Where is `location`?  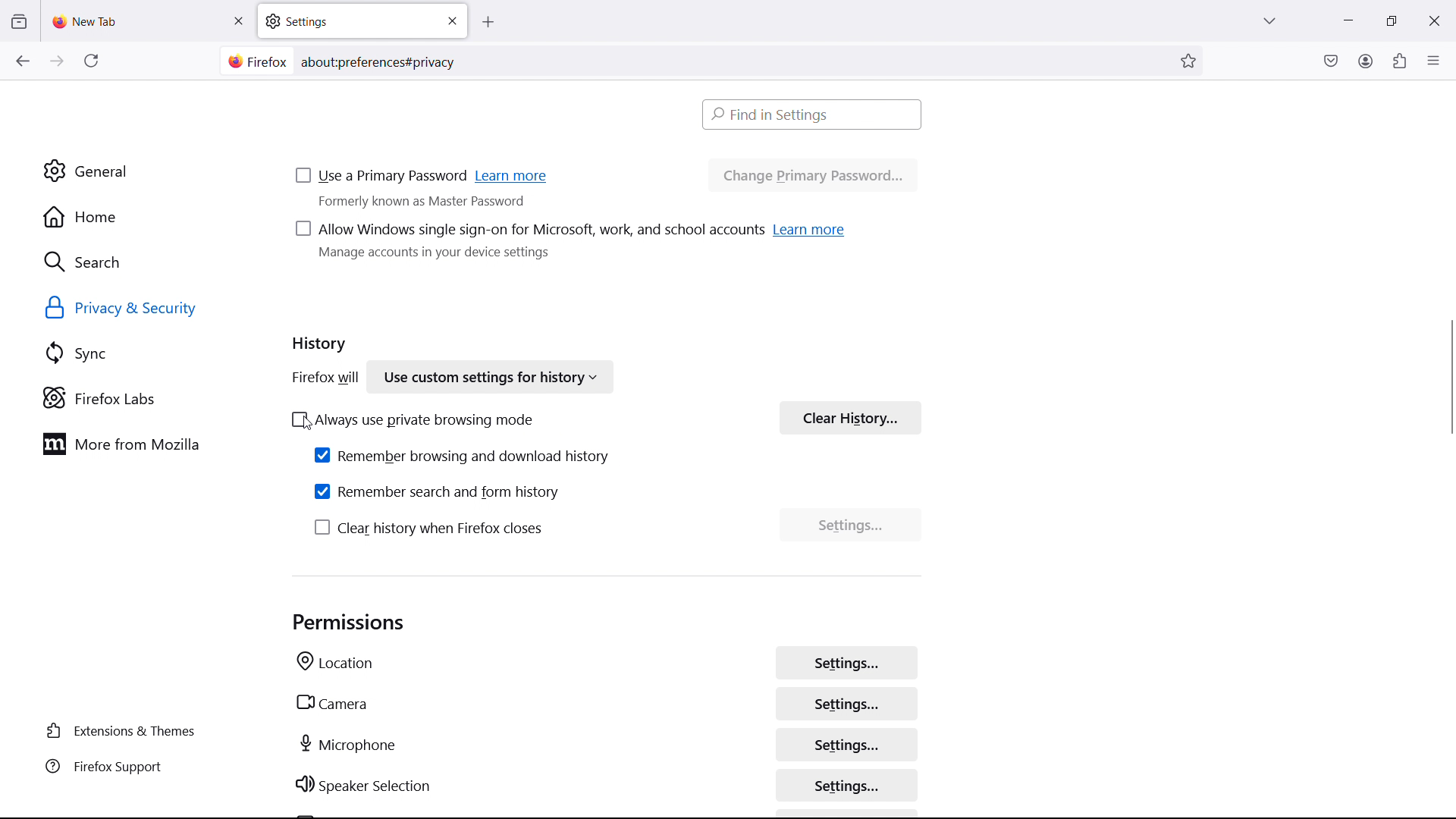 location is located at coordinates (335, 664).